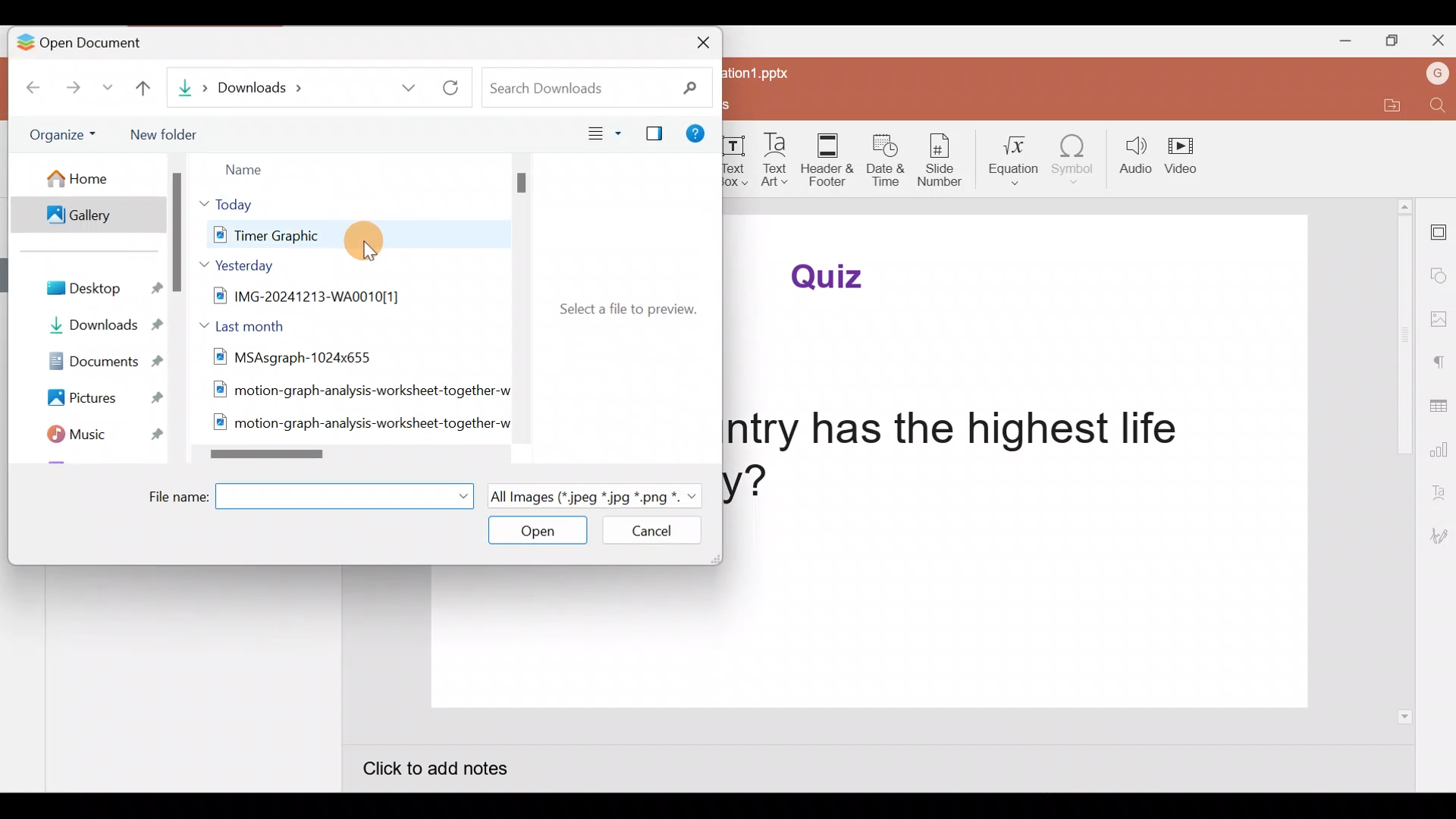 The image size is (1456, 819). I want to click on Home, so click(91, 178).